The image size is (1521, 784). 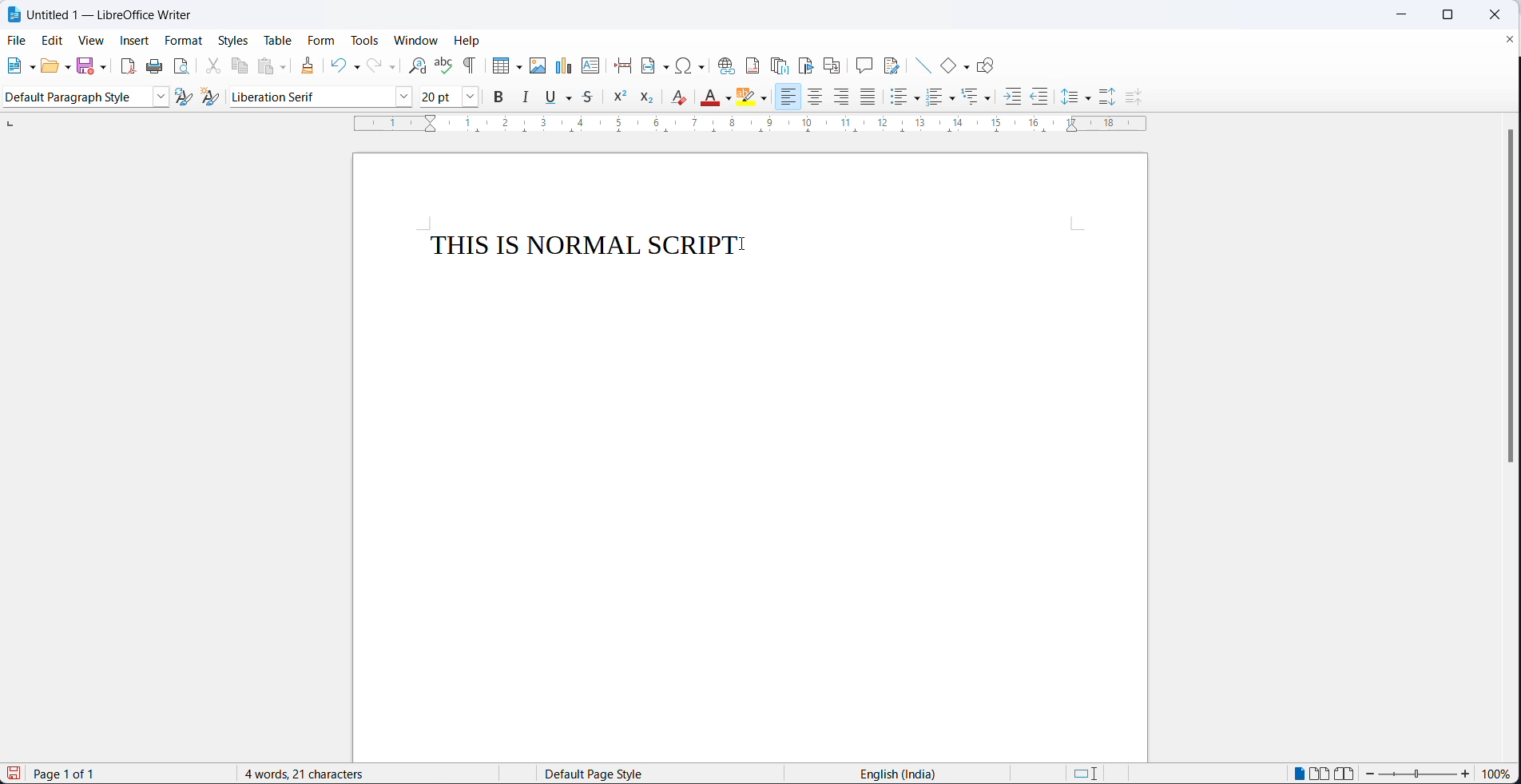 I want to click on underline, so click(x=551, y=97).